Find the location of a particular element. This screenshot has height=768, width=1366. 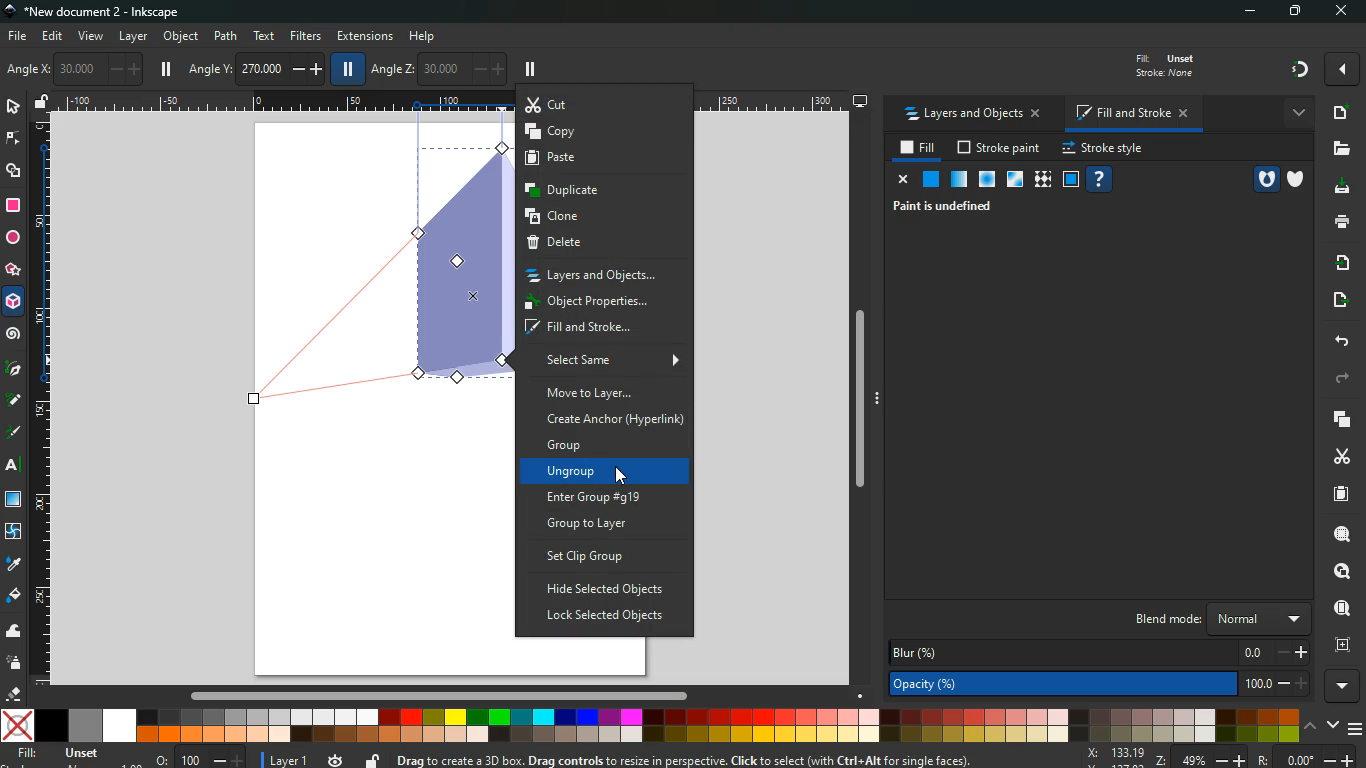

3d box tool is located at coordinates (14, 305).